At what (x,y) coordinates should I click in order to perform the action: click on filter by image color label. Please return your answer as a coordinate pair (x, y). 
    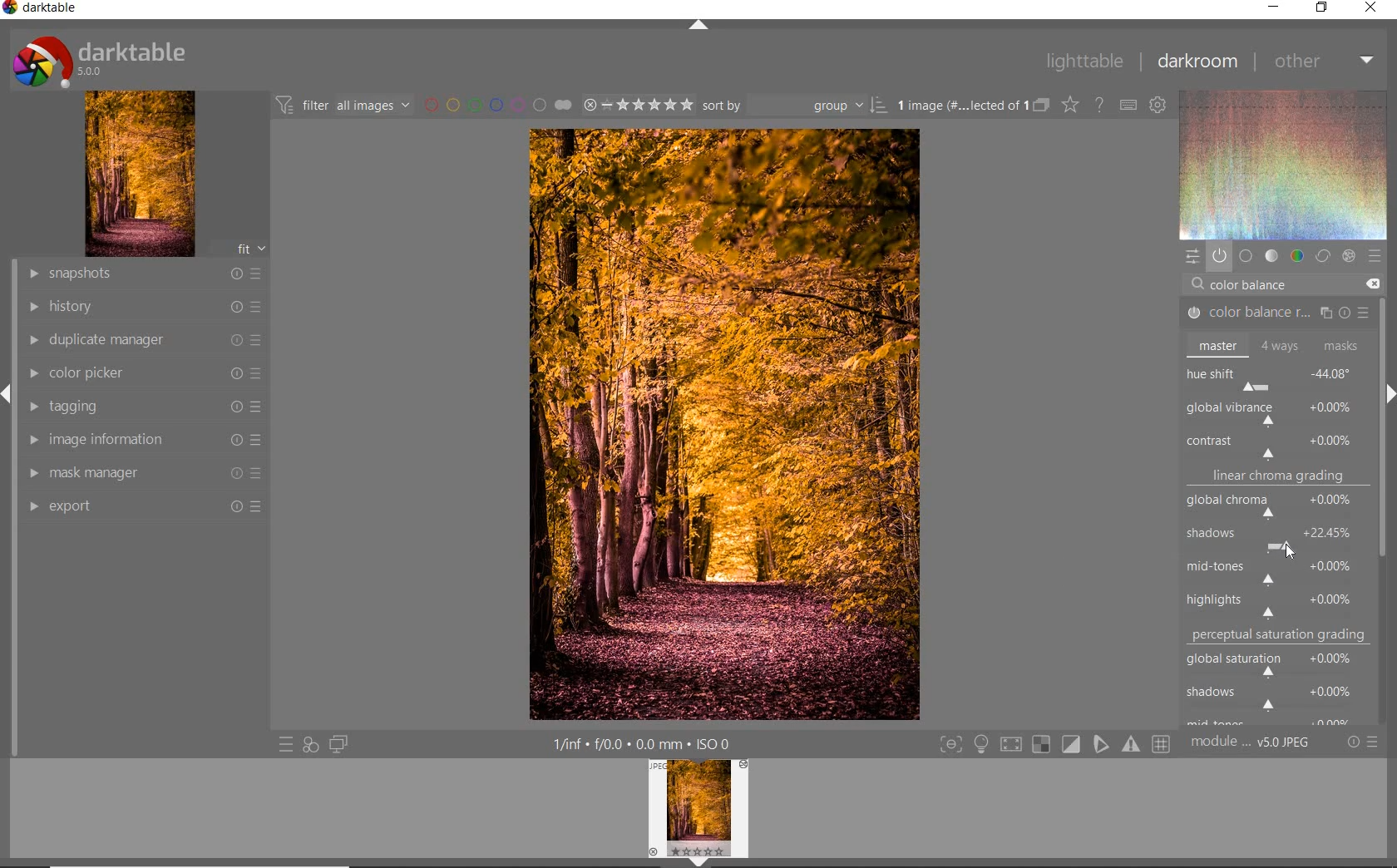
    Looking at the image, I should click on (496, 105).